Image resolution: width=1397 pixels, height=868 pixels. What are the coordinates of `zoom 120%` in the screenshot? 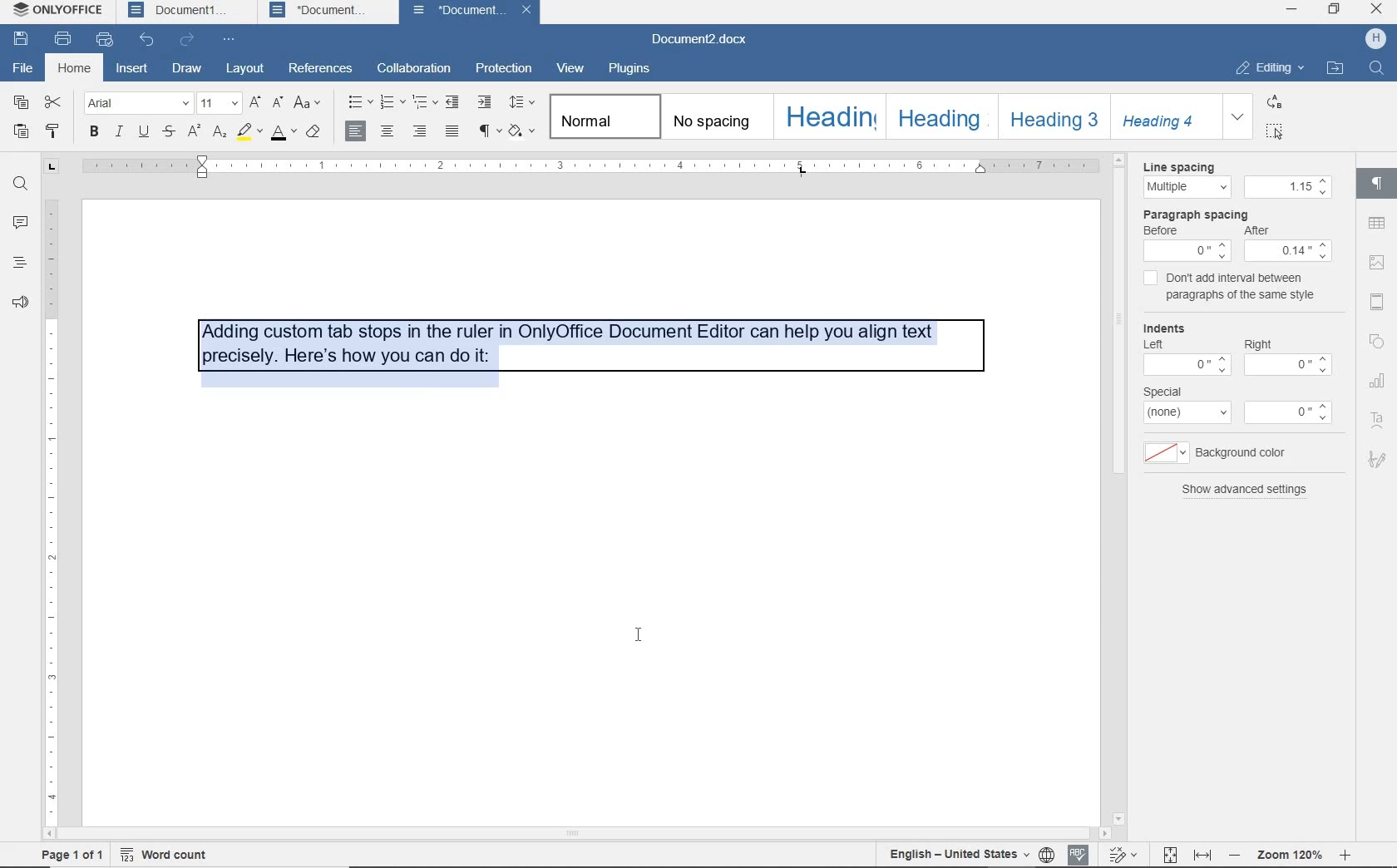 It's located at (1289, 854).